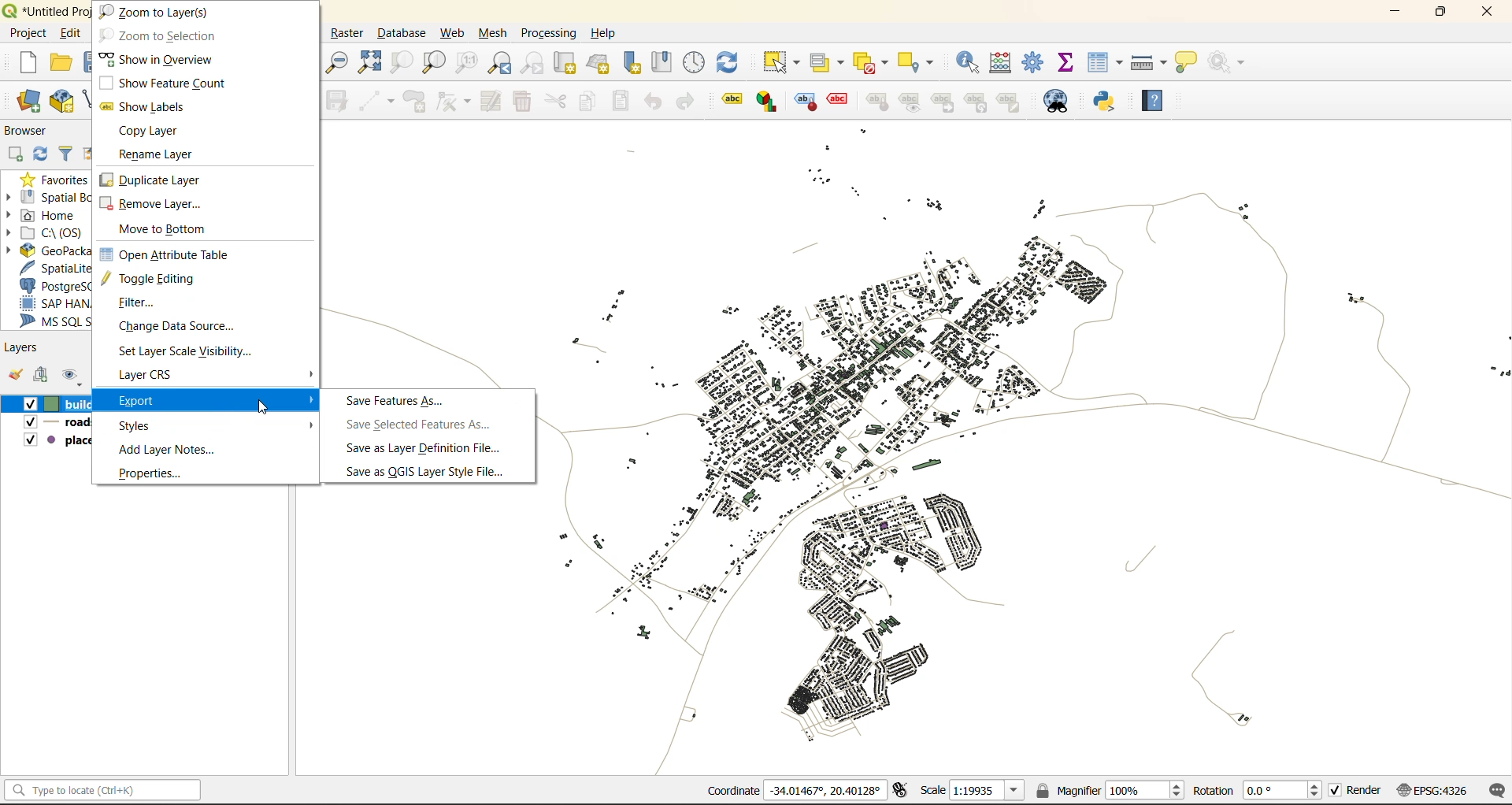  Describe the element at coordinates (973, 791) in the screenshot. I see `scale` at that location.